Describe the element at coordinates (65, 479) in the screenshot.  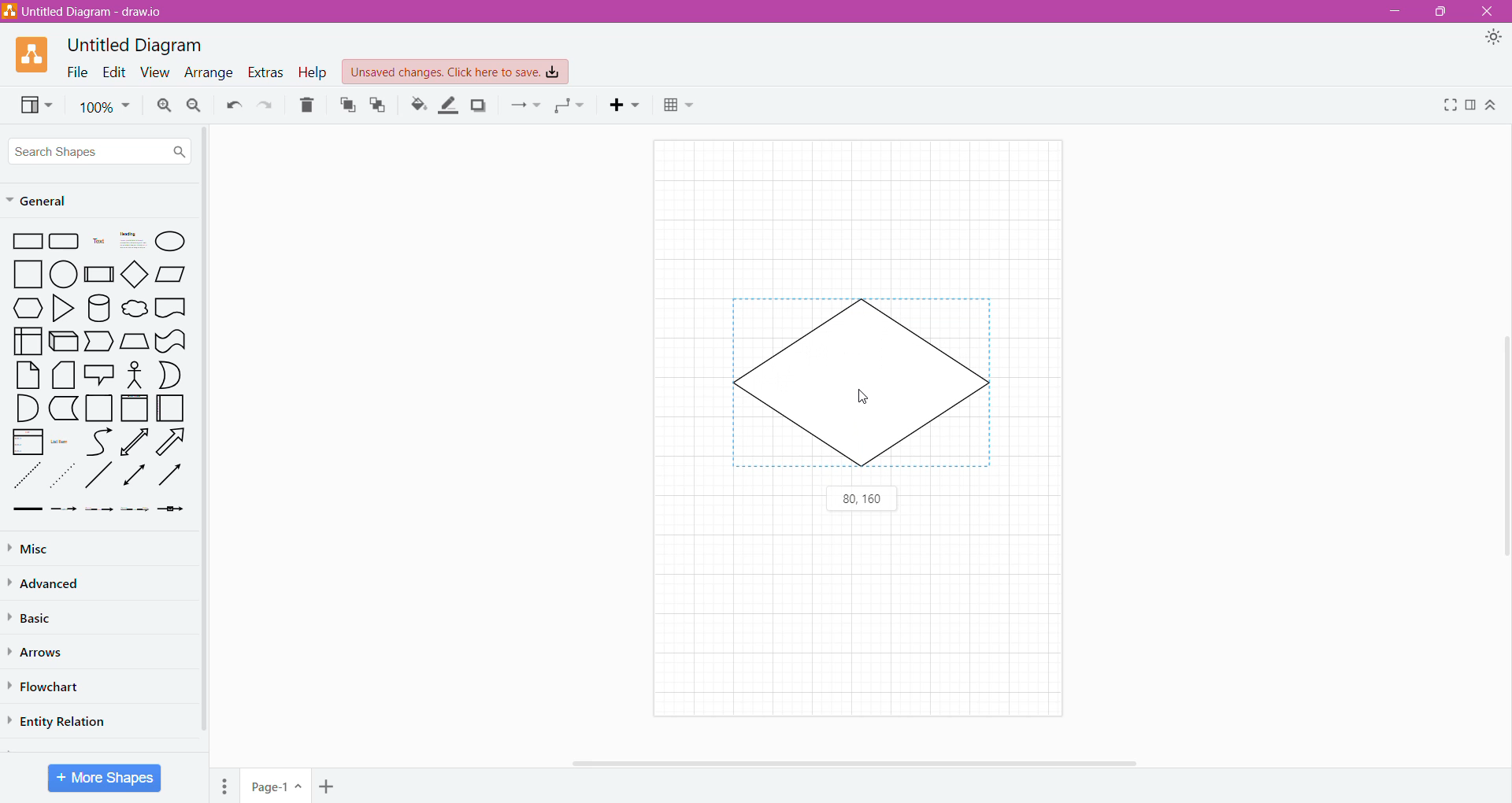
I see `Dotted Line` at that location.